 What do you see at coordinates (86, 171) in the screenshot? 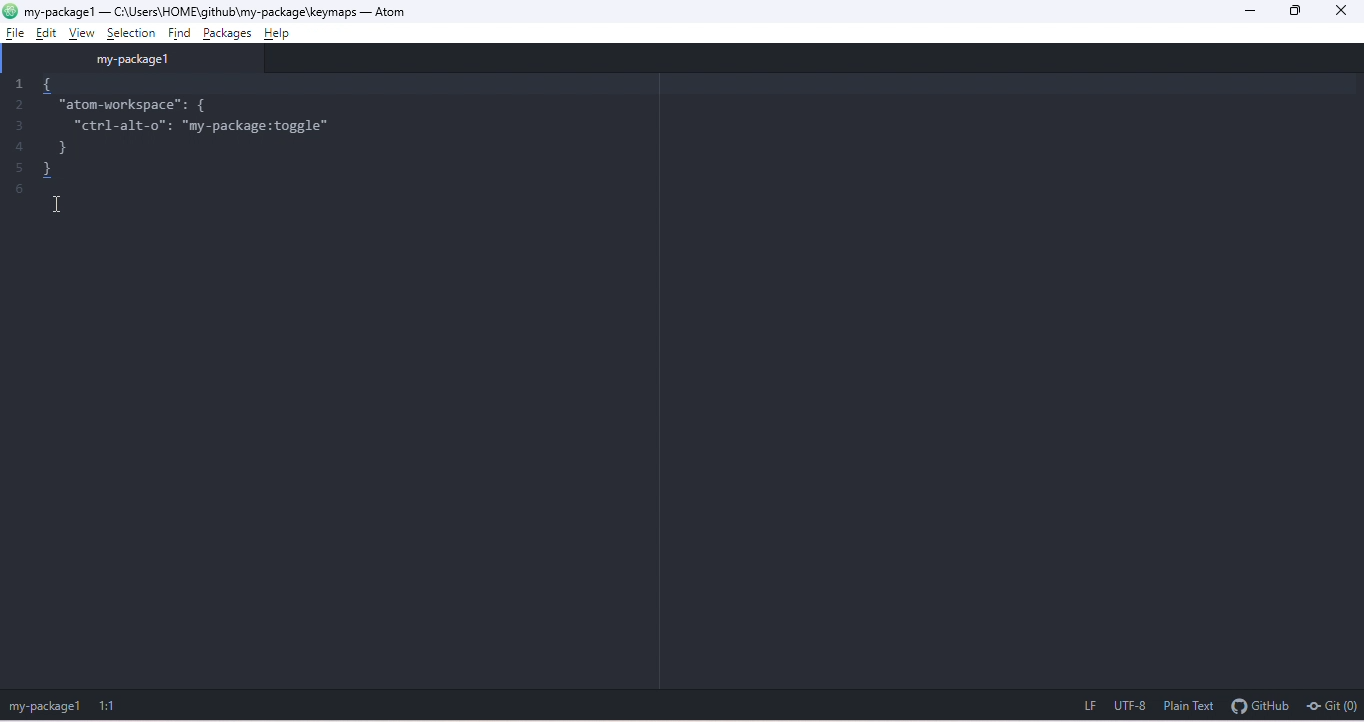
I see `}` at bounding box center [86, 171].